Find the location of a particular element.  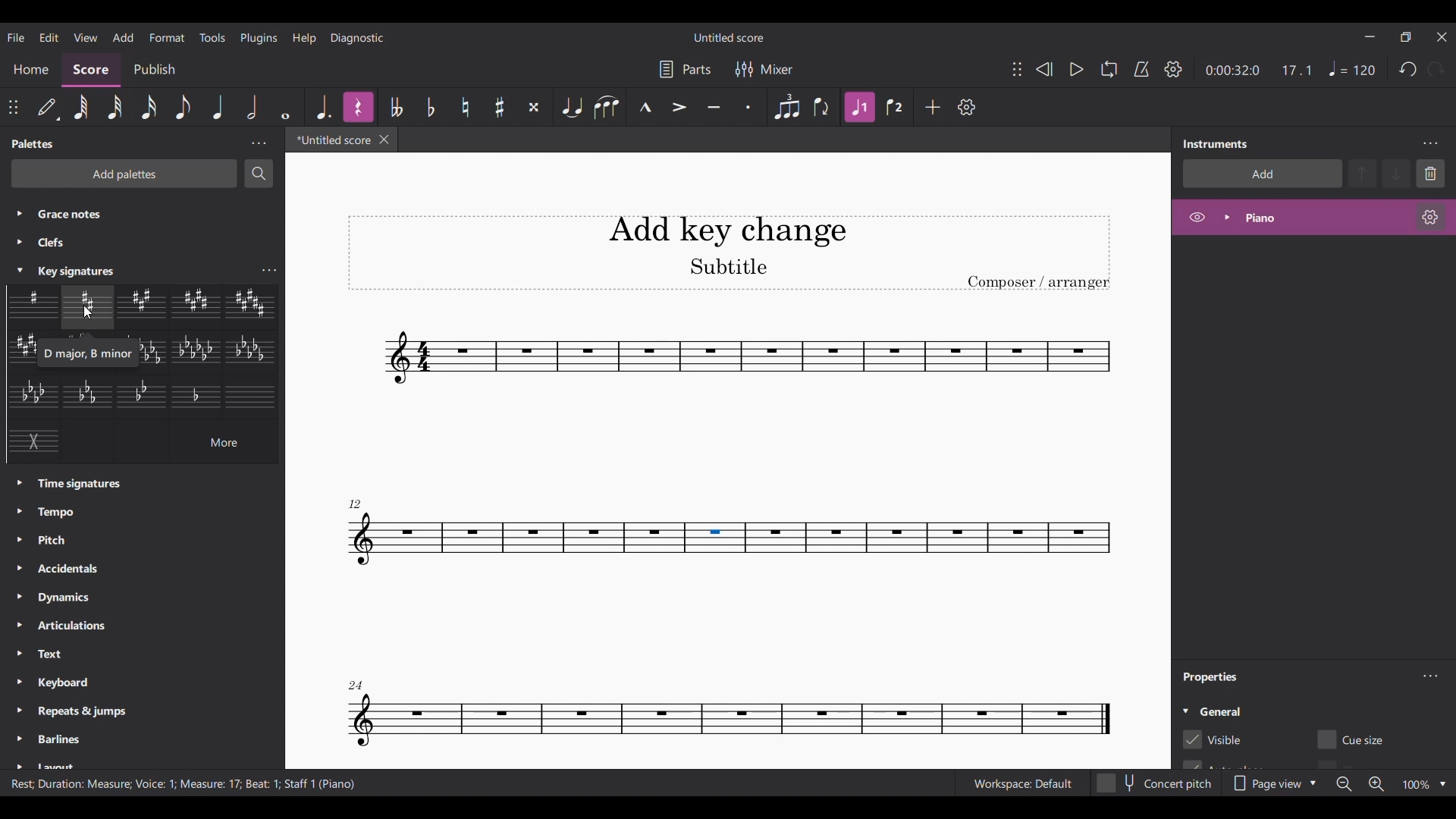

Close interface is located at coordinates (1442, 37).